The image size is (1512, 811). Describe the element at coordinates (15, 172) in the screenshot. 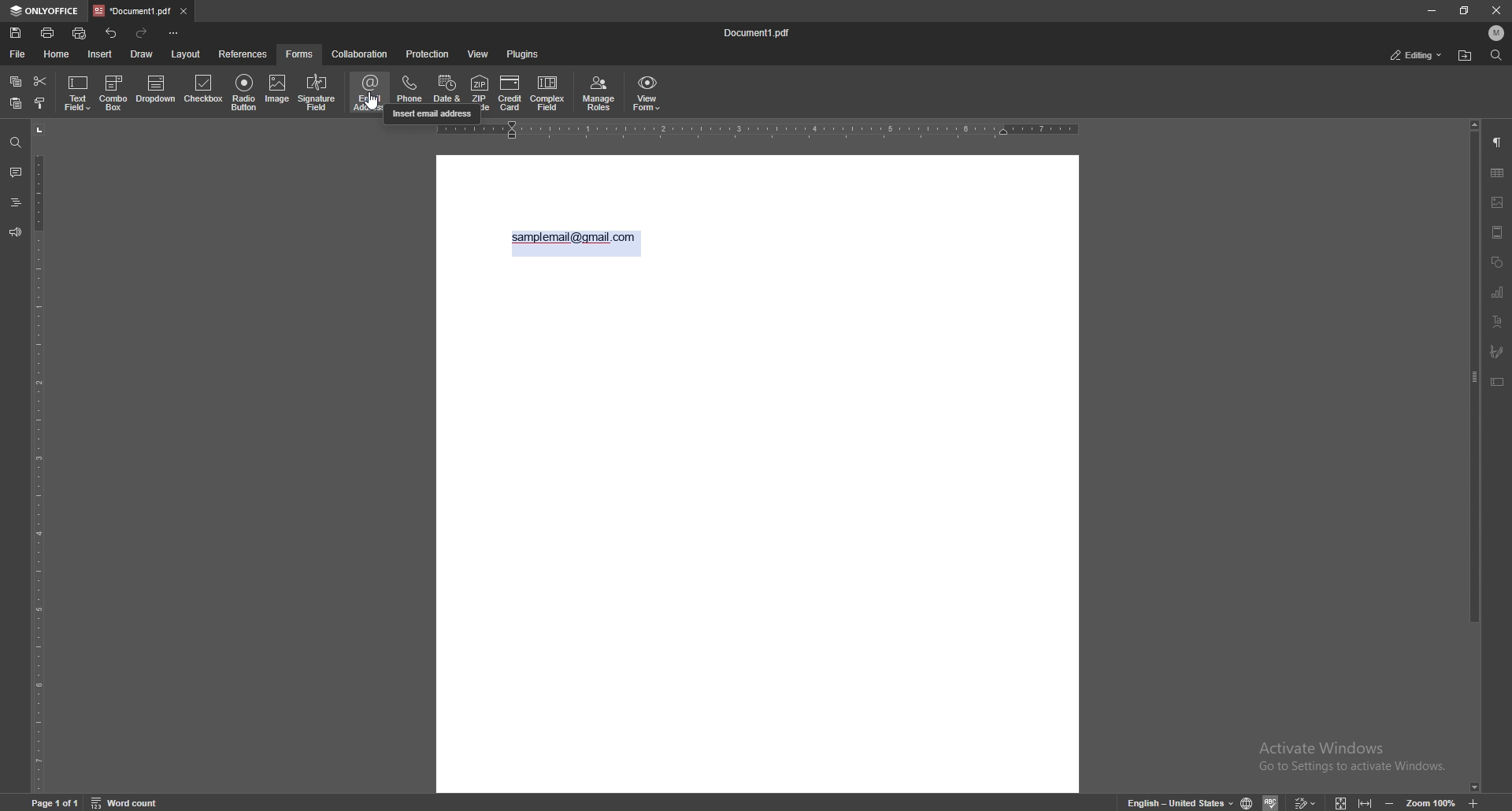

I see `comments` at that location.